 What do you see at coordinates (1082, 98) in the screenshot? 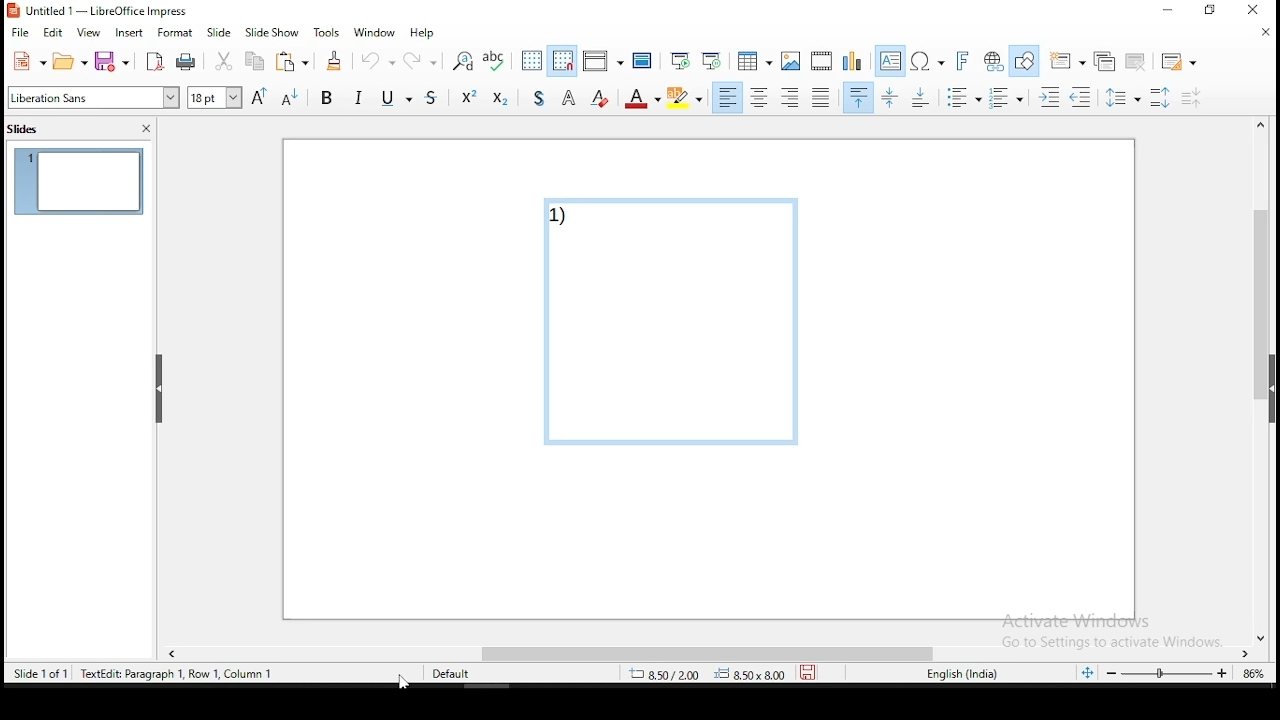
I see `decrease indent` at bounding box center [1082, 98].